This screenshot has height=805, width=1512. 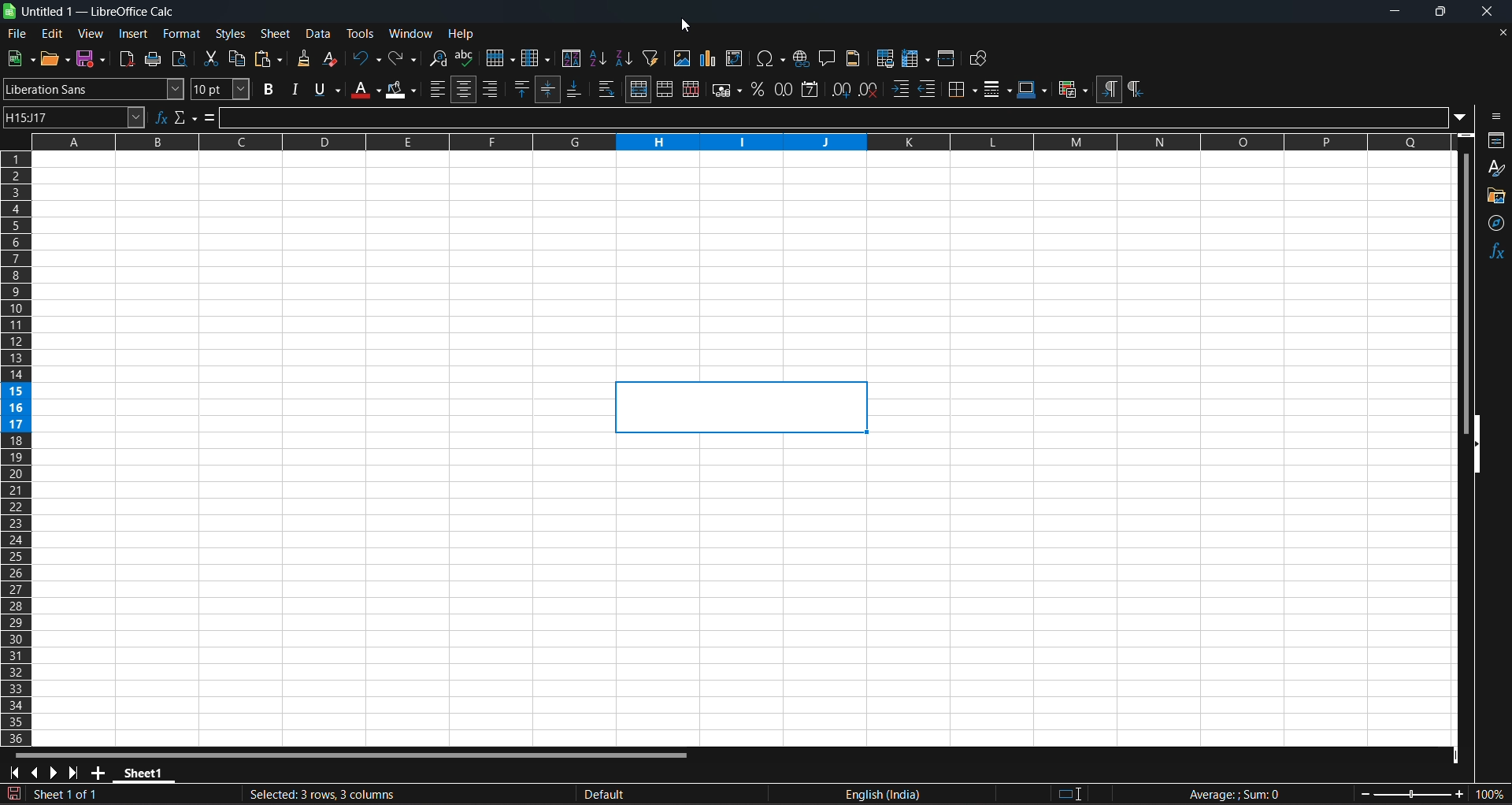 What do you see at coordinates (1393, 12) in the screenshot?
I see `minimize` at bounding box center [1393, 12].